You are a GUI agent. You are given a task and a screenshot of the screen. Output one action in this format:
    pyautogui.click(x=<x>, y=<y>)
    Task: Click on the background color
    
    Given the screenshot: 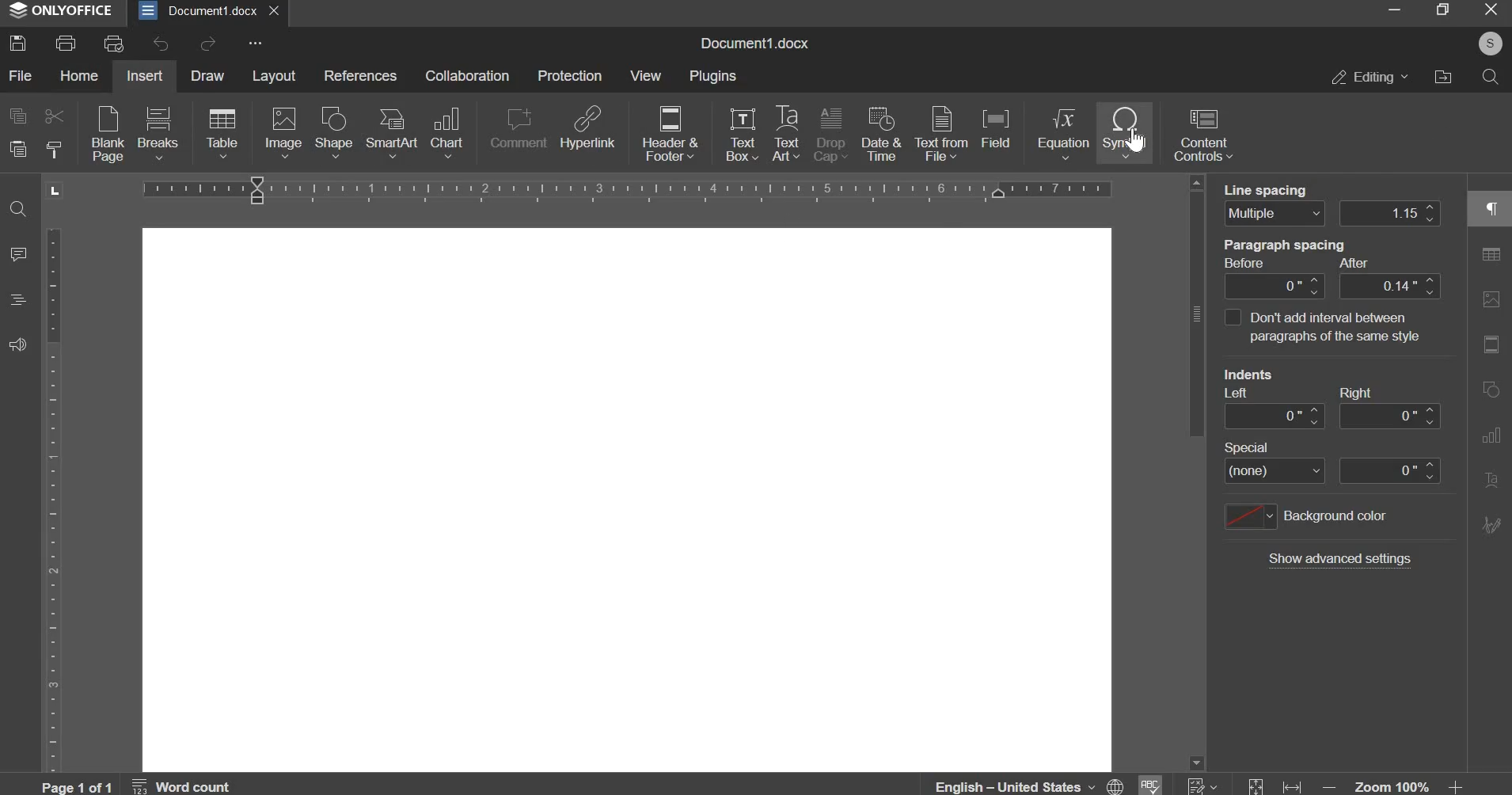 What is the action you would take?
    pyautogui.click(x=1305, y=516)
    